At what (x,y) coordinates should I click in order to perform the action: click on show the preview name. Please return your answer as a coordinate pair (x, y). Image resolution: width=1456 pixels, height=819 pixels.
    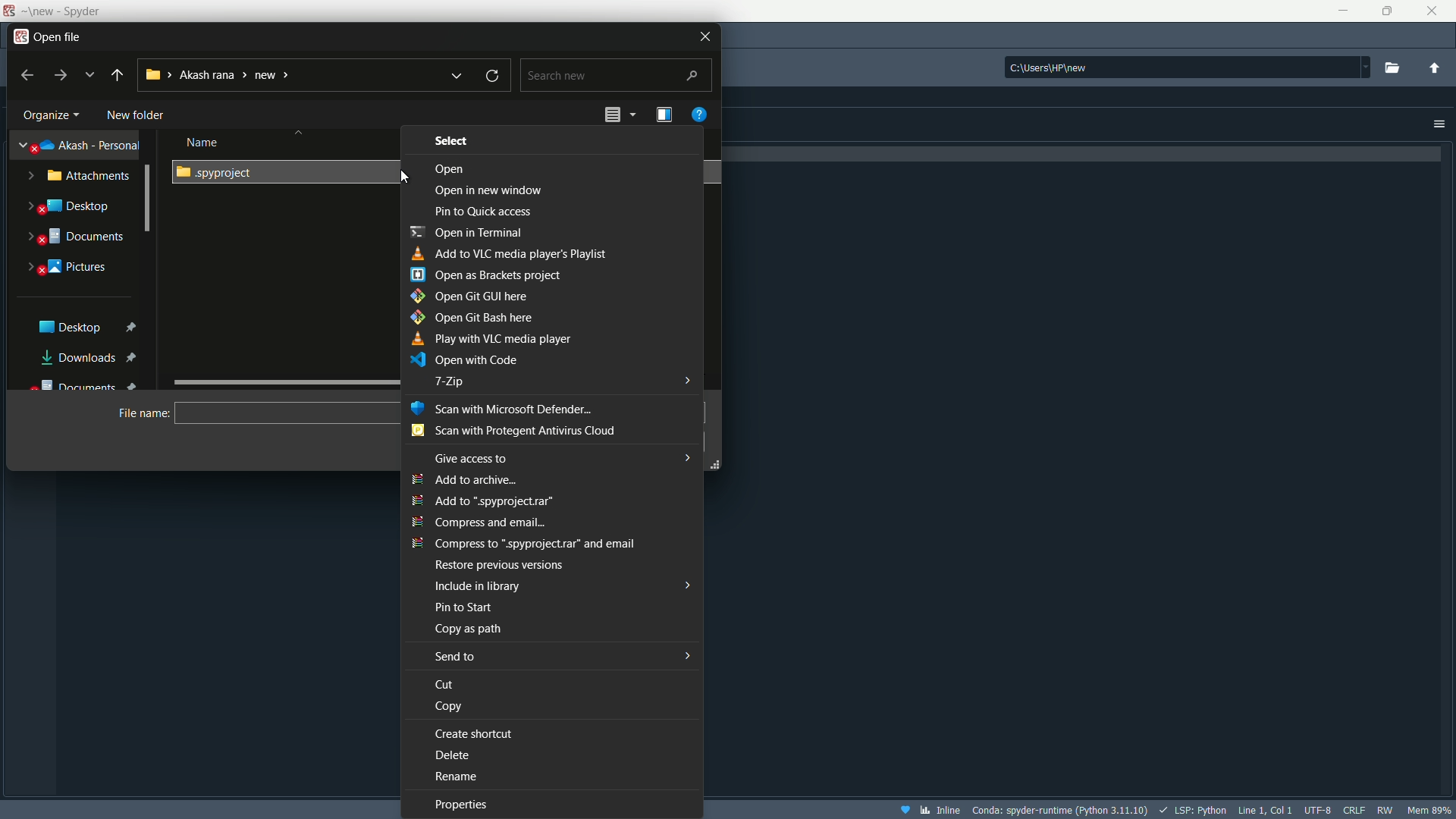
    Looking at the image, I should click on (664, 113).